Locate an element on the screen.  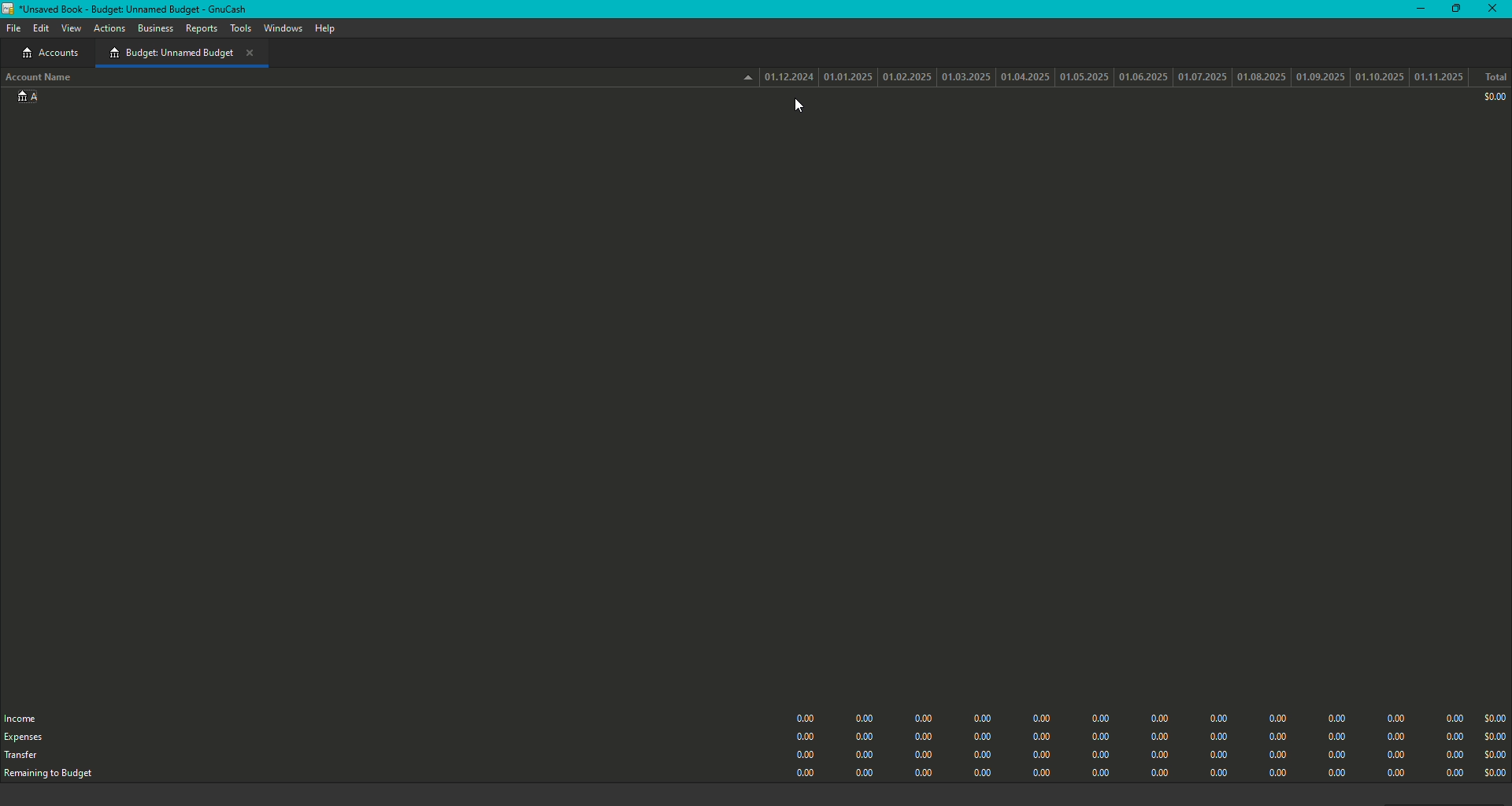
Date range is located at coordinates (1106, 76).